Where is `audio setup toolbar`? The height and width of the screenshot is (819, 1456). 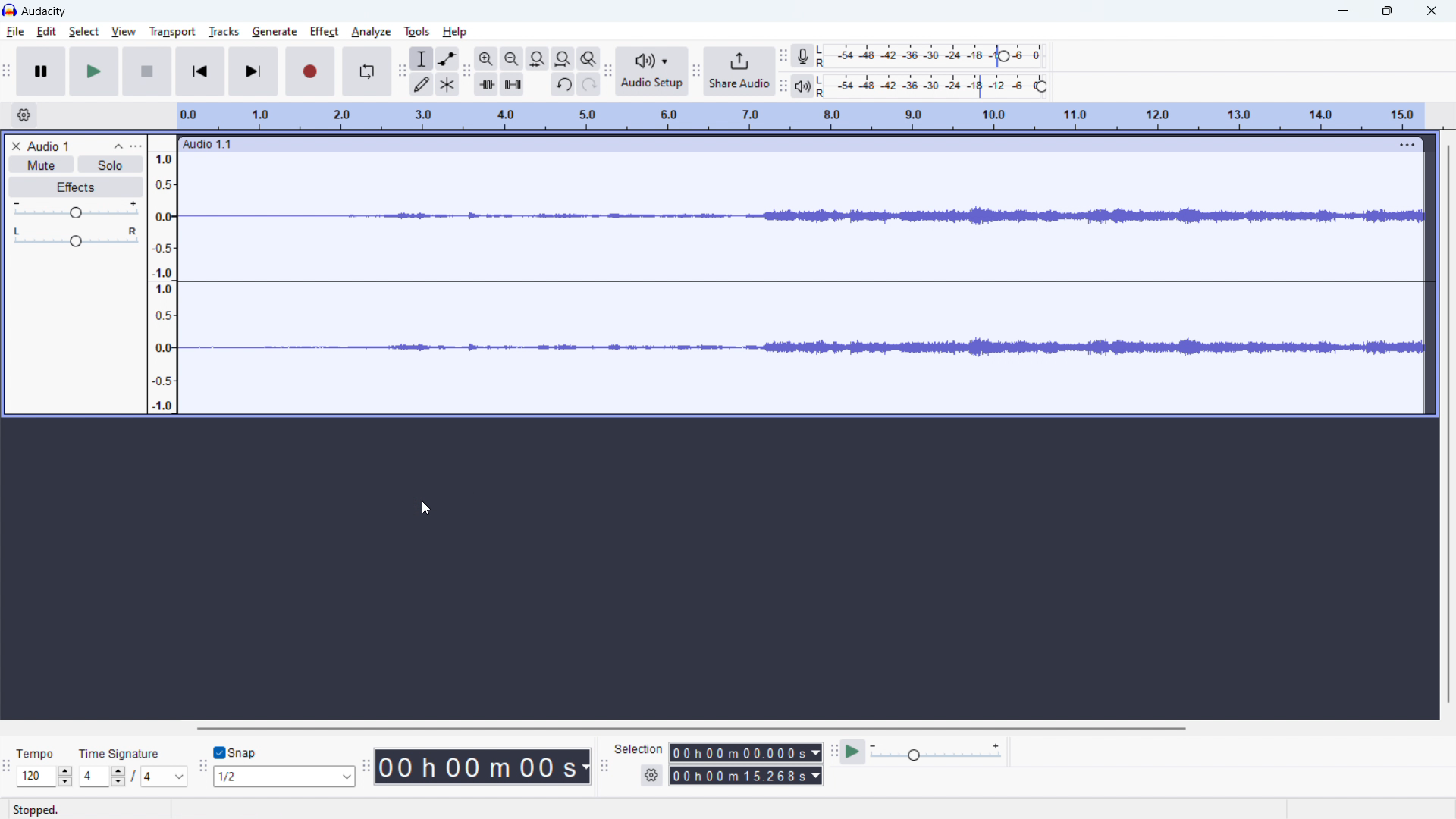
audio setup toolbar is located at coordinates (607, 72).